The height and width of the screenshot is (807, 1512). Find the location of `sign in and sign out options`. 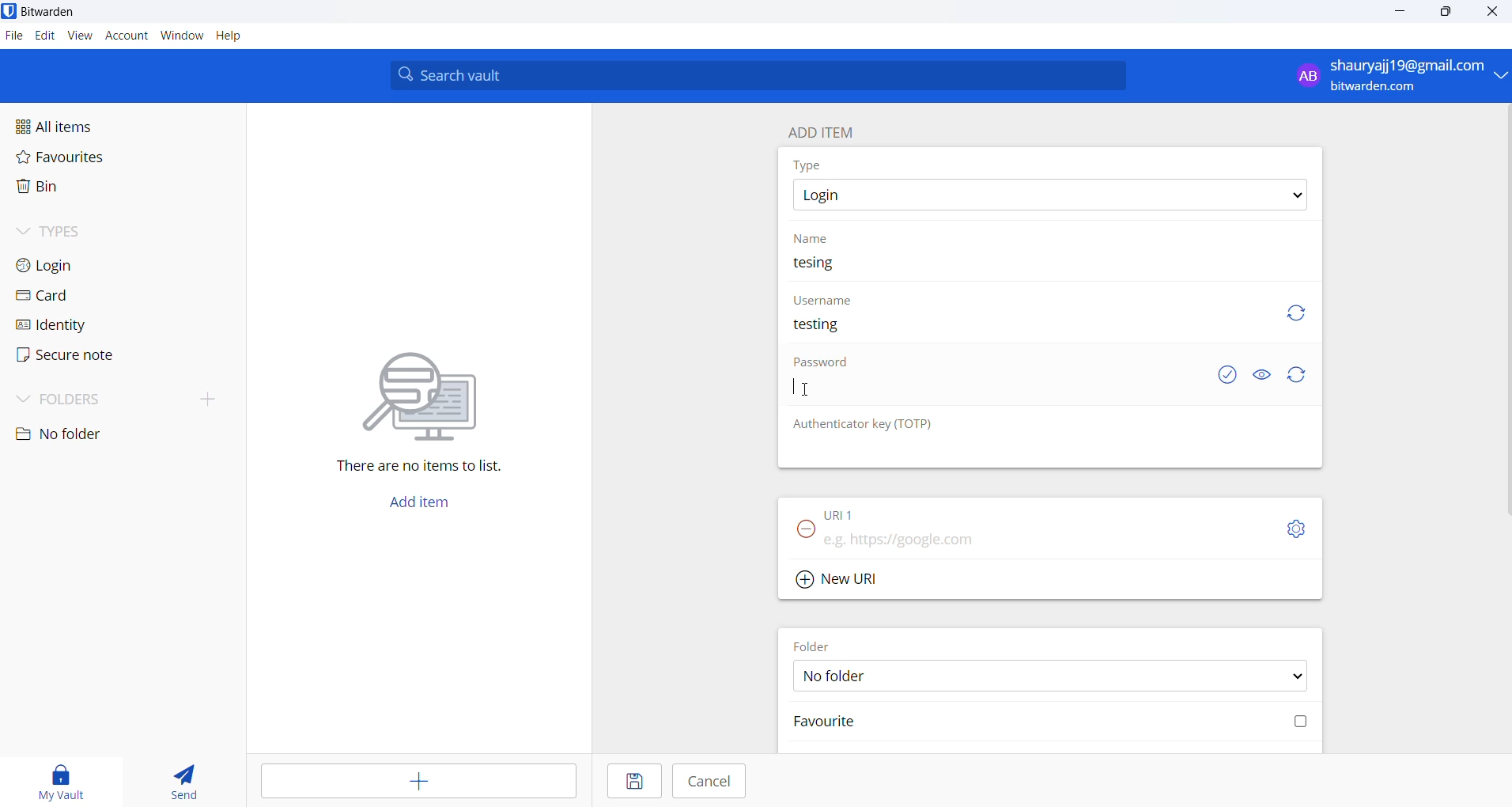

sign in and sign out options is located at coordinates (1397, 76).